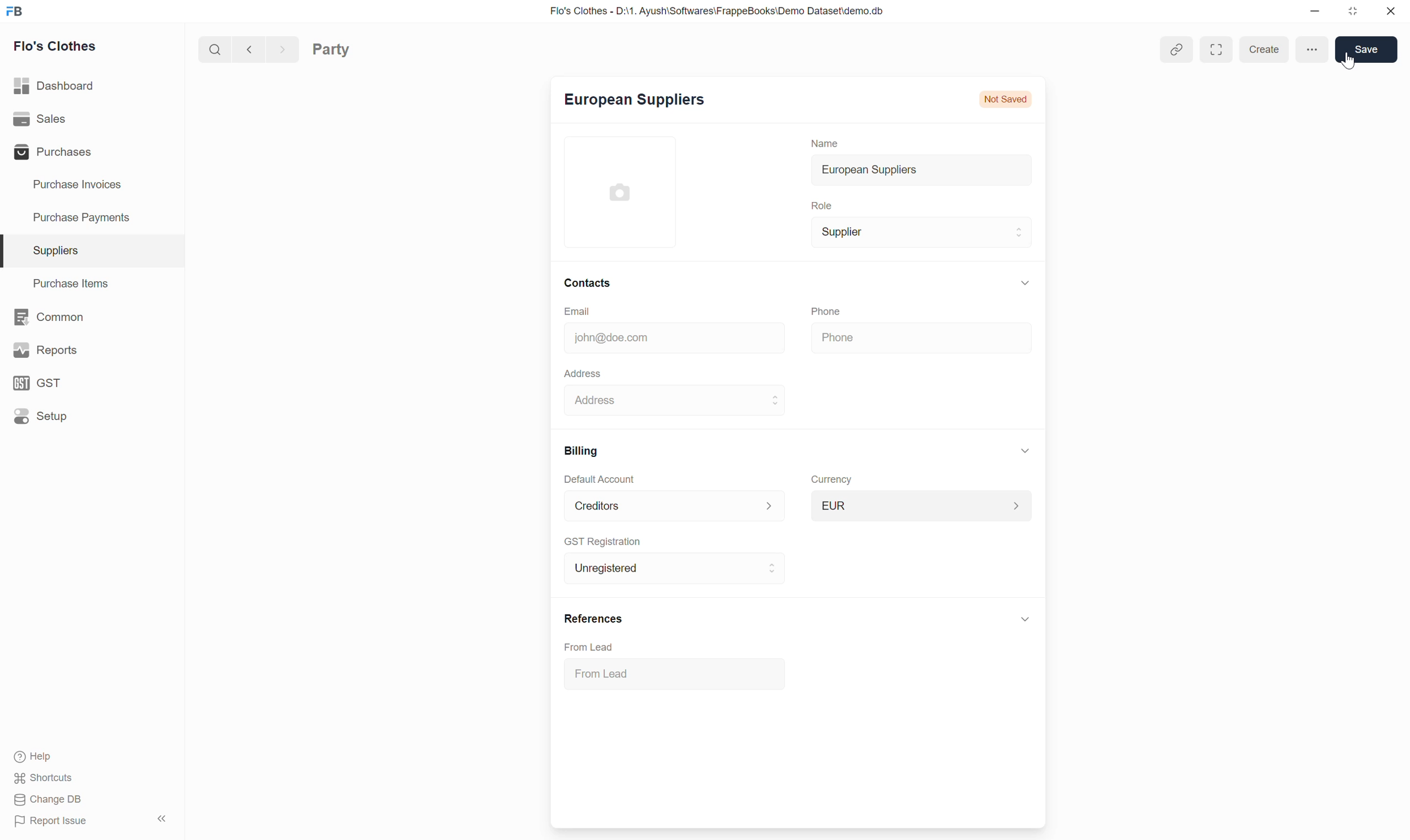 This screenshot has width=1410, height=840. I want to click on close, so click(1391, 13).